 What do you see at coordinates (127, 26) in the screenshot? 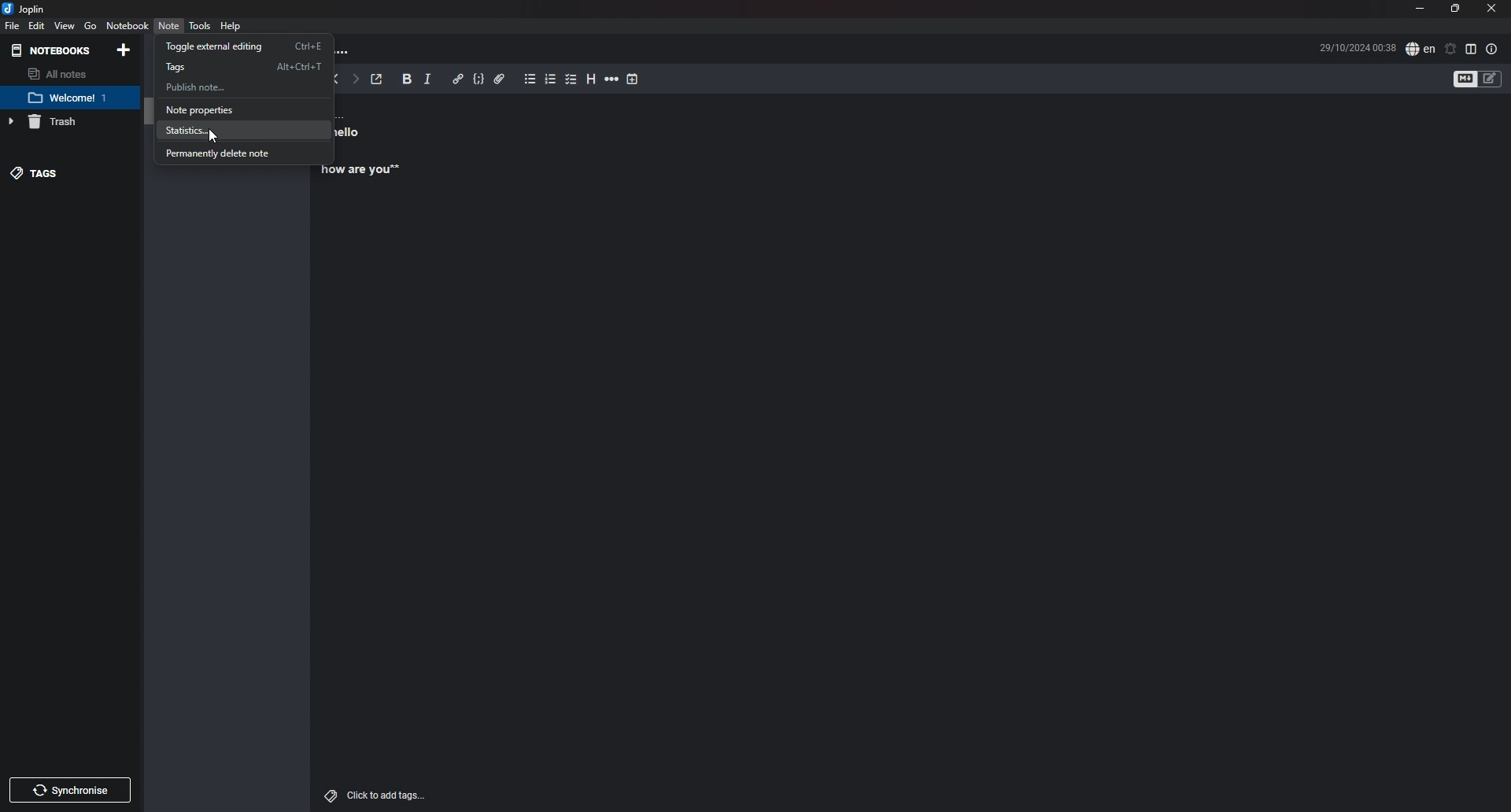
I see `Notebook` at bounding box center [127, 26].